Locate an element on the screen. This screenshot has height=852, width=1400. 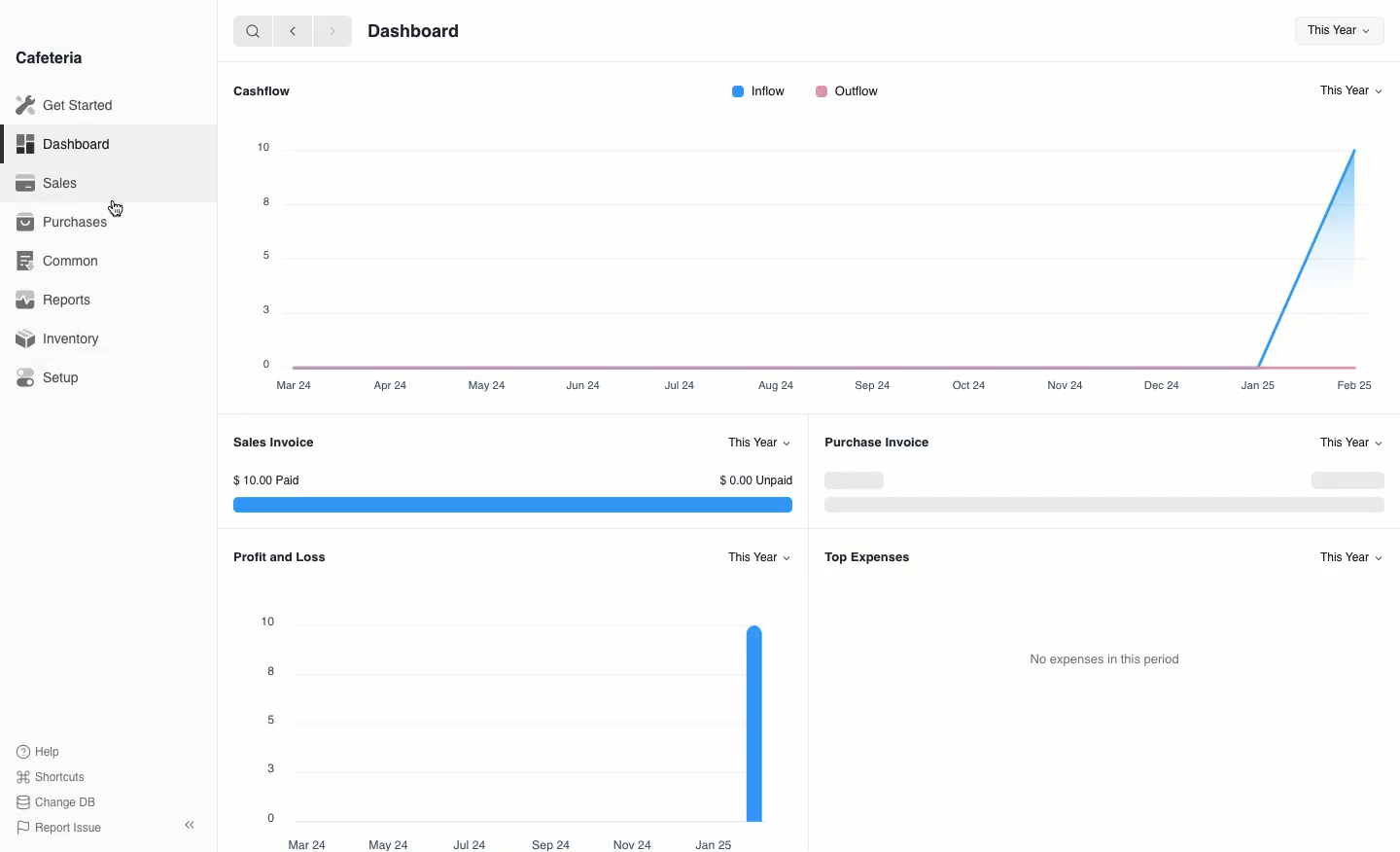
Dashboard is located at coordinates (63, 144).